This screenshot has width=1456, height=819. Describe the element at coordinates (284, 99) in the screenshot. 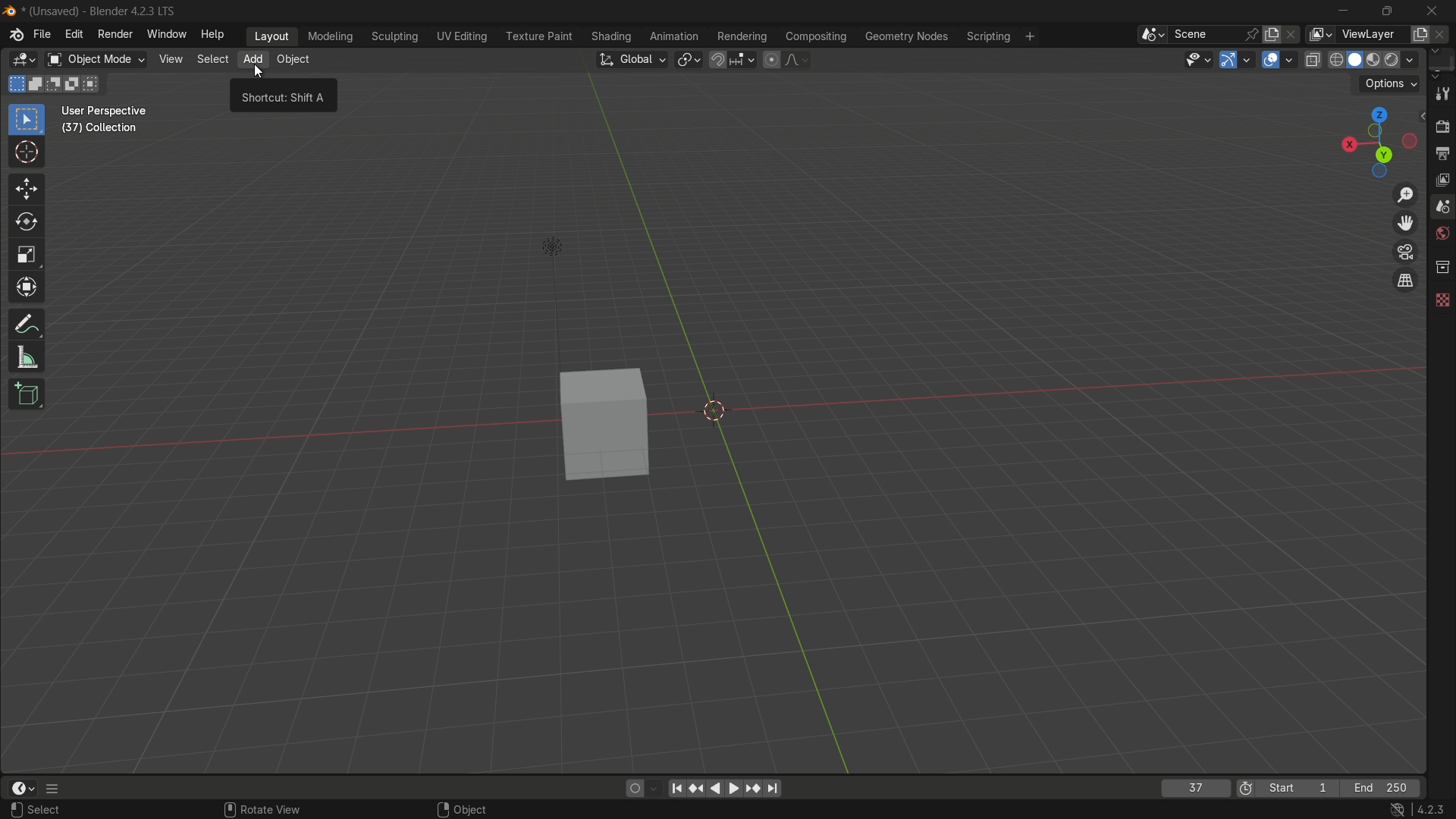

I see `SHORTCUT: shift a` at that location.